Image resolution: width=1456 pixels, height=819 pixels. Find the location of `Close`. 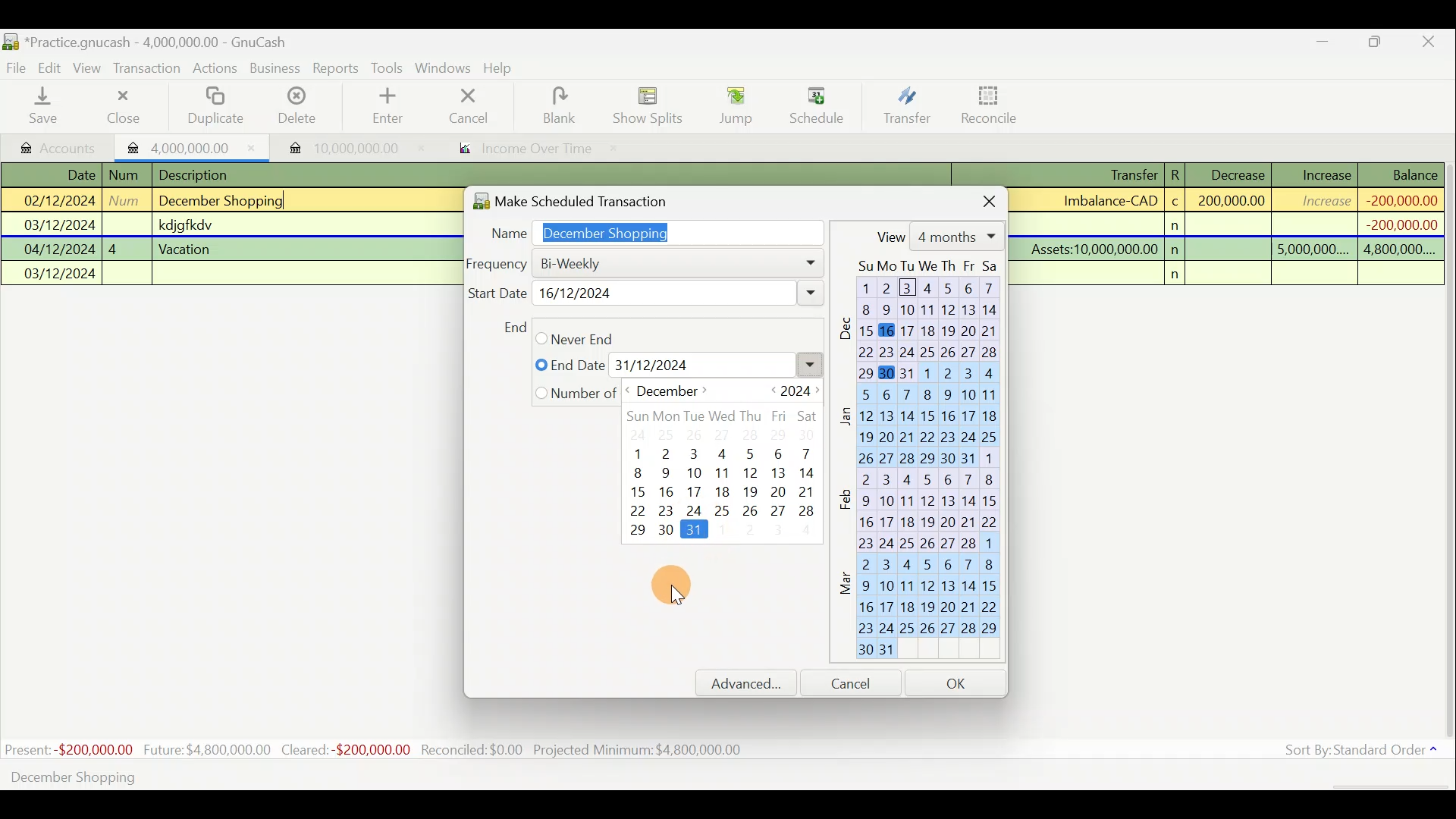

Close is located at coordinates (122, 106).